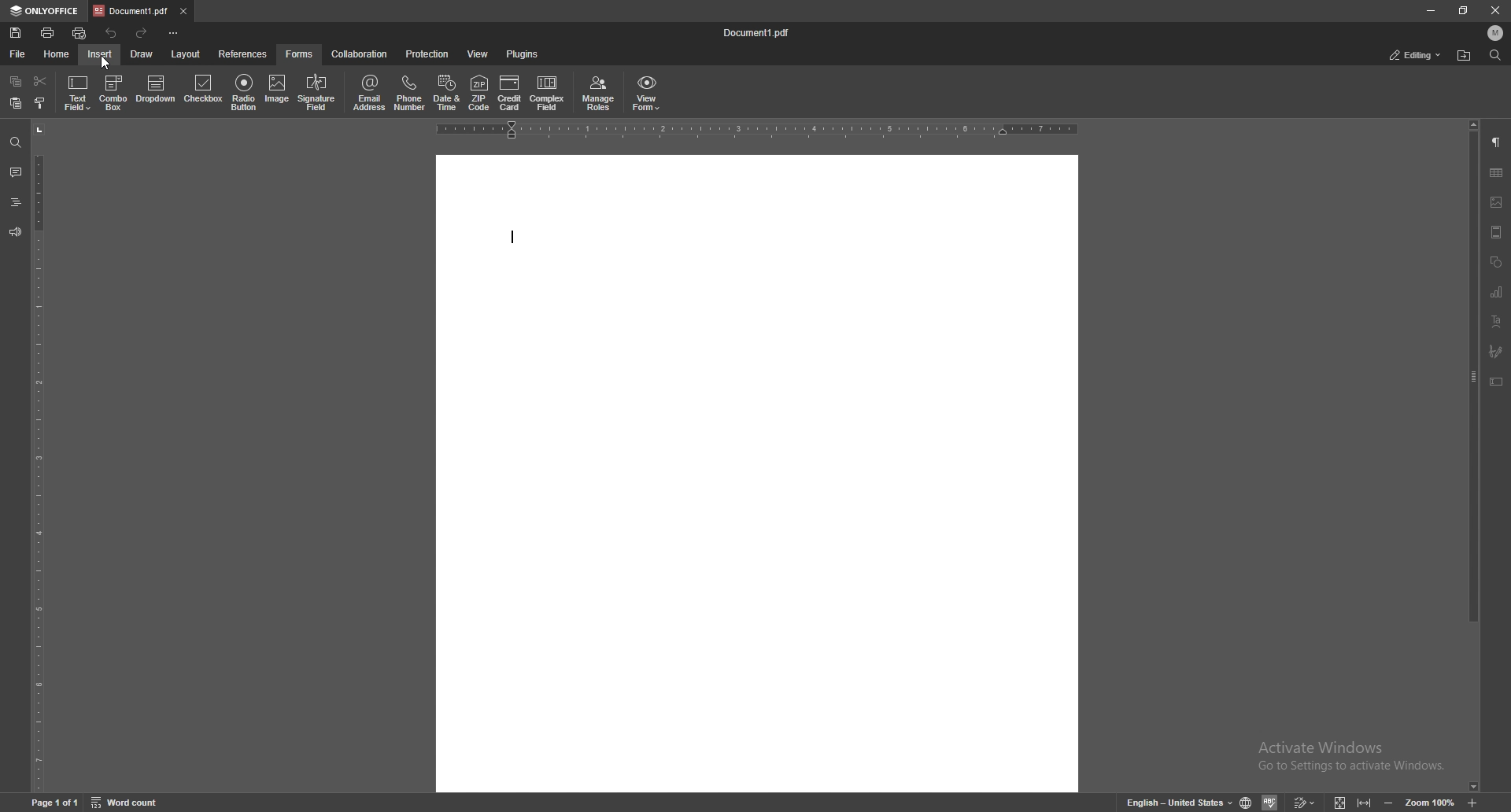 Image resolution: width=1511 pixels, height=812 pixels. What do you see at coordinates (1497, 173) in the screenshot?
I see `table` at bounding box center [1497, 173].